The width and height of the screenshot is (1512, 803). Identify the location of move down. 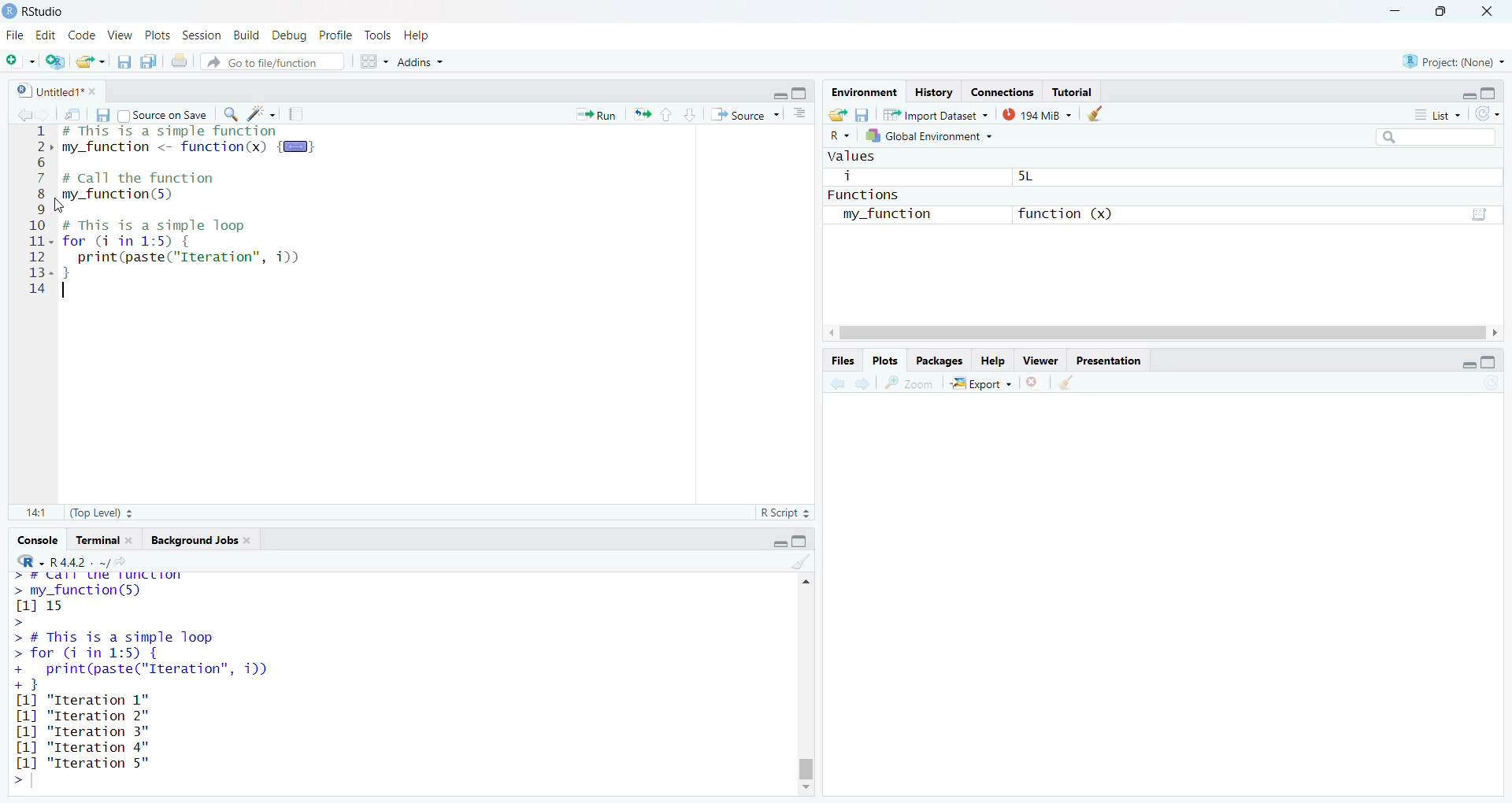
(805, 790).